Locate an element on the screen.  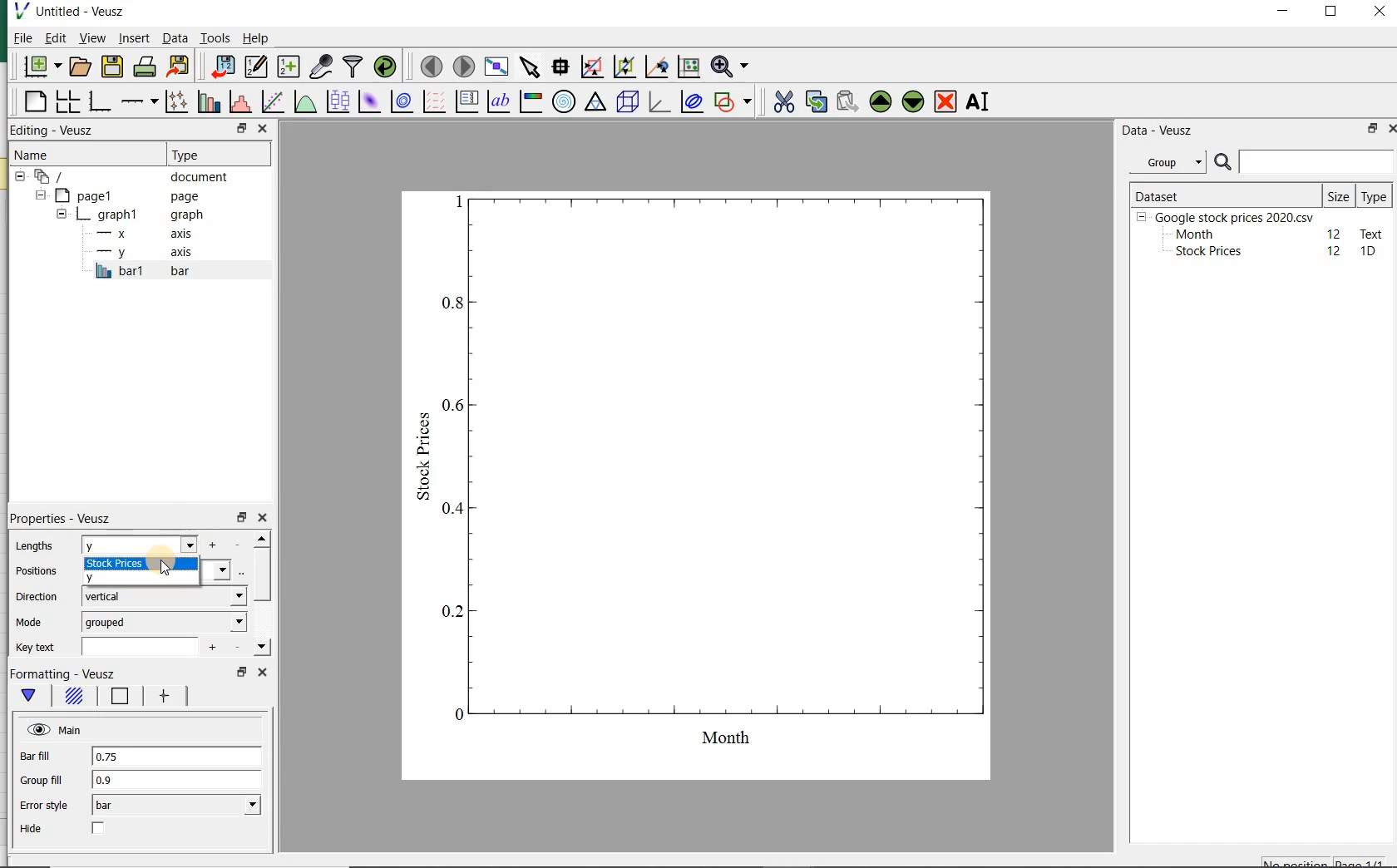
select items from the graph or scroll is located at coordinates (529, 67).